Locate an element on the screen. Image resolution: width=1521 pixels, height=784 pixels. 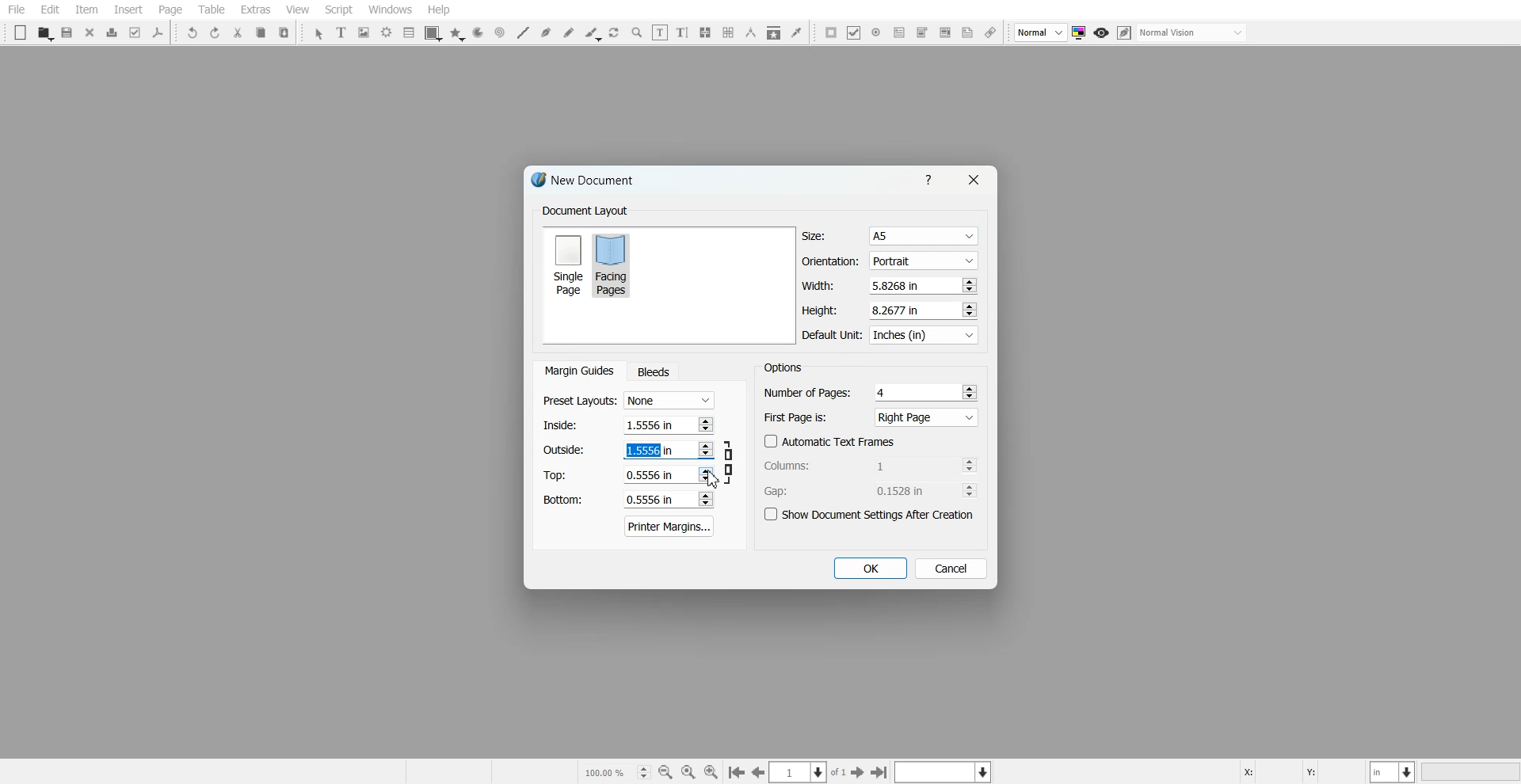
Freehand line is located at coordinates (569, 32).